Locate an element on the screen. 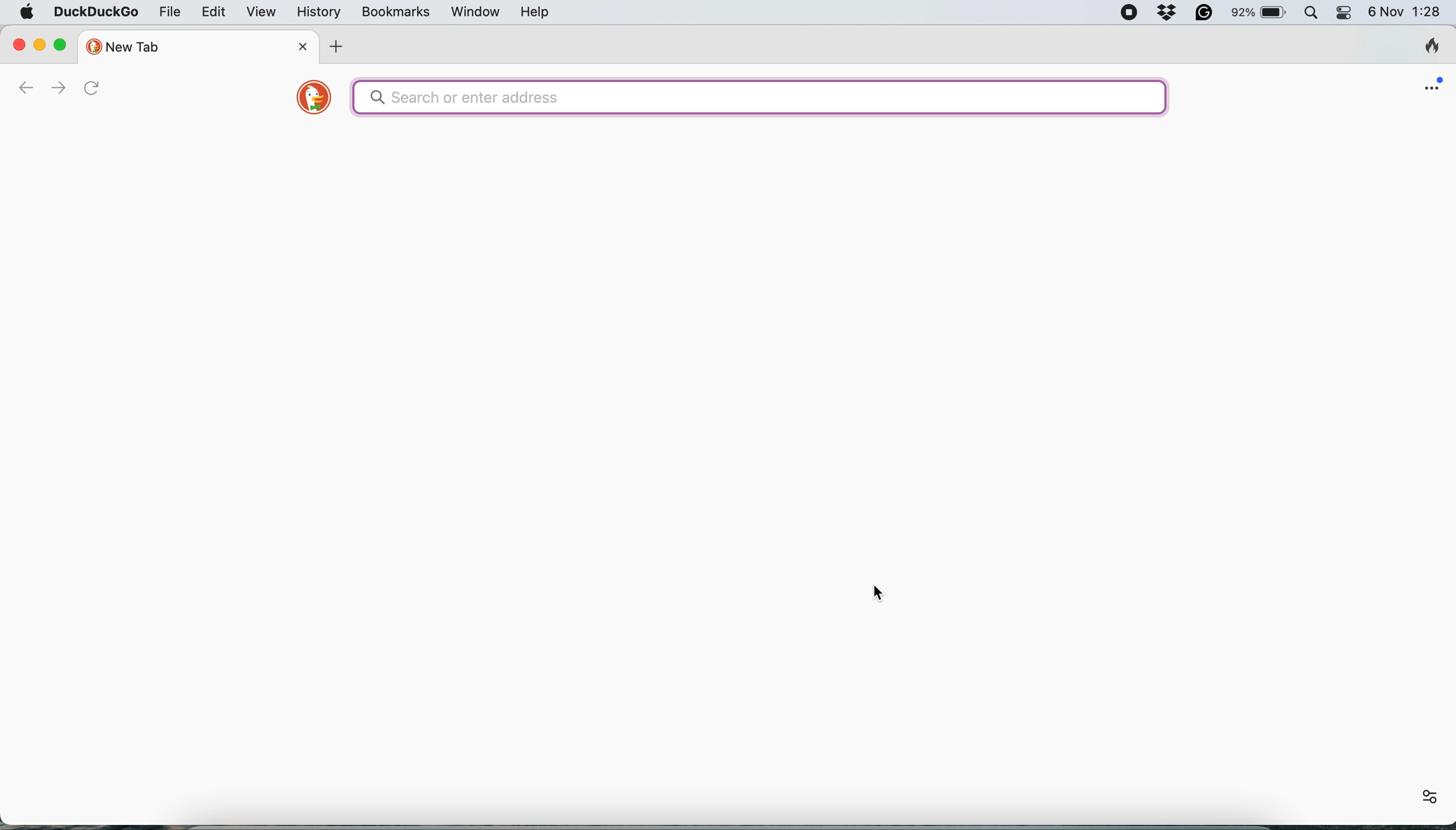 The image size is (1456, 830). control center is located at coordinates (1345, 12).